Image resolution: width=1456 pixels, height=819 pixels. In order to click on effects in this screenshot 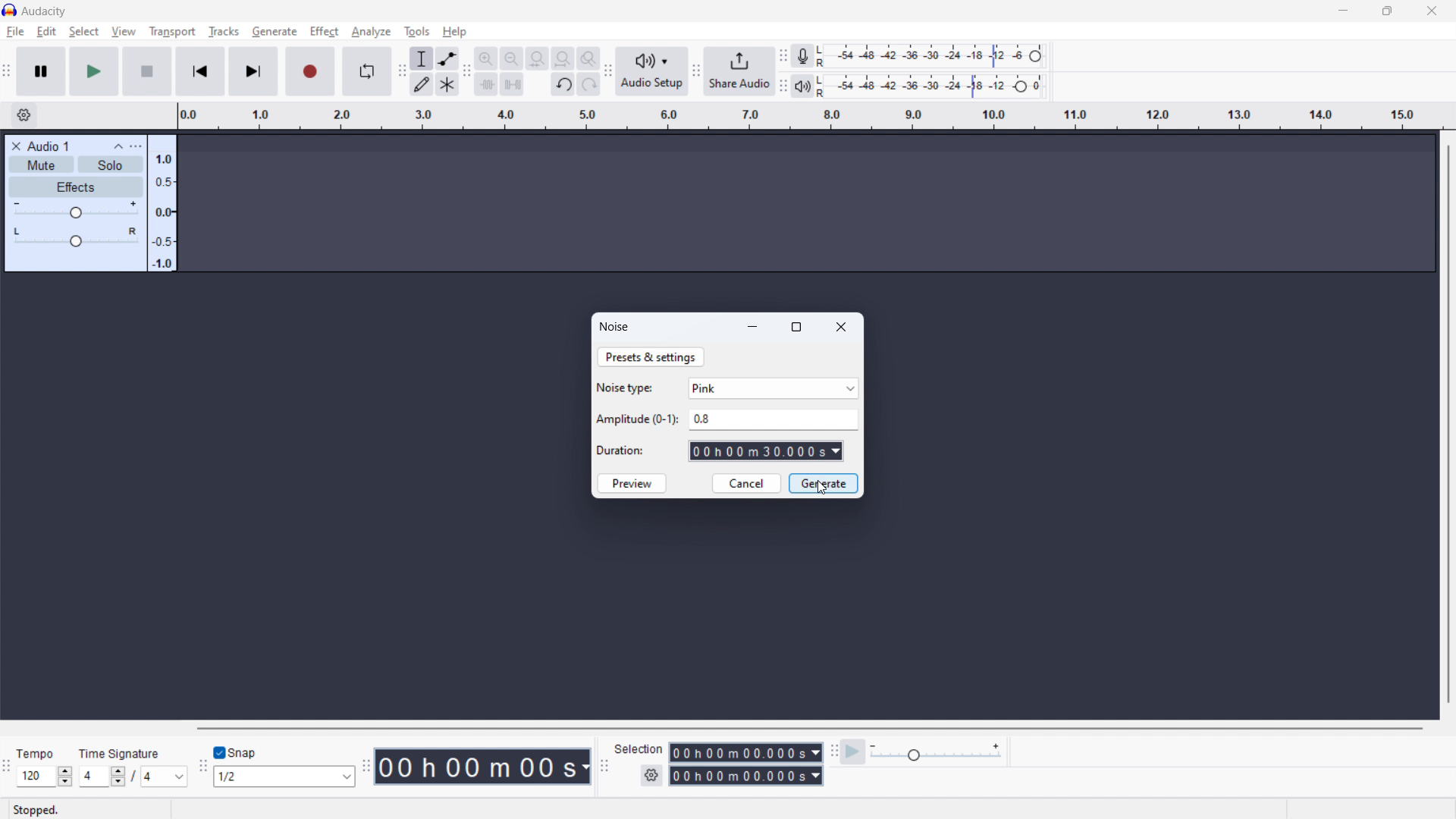, I will do `click(75, 186)`.